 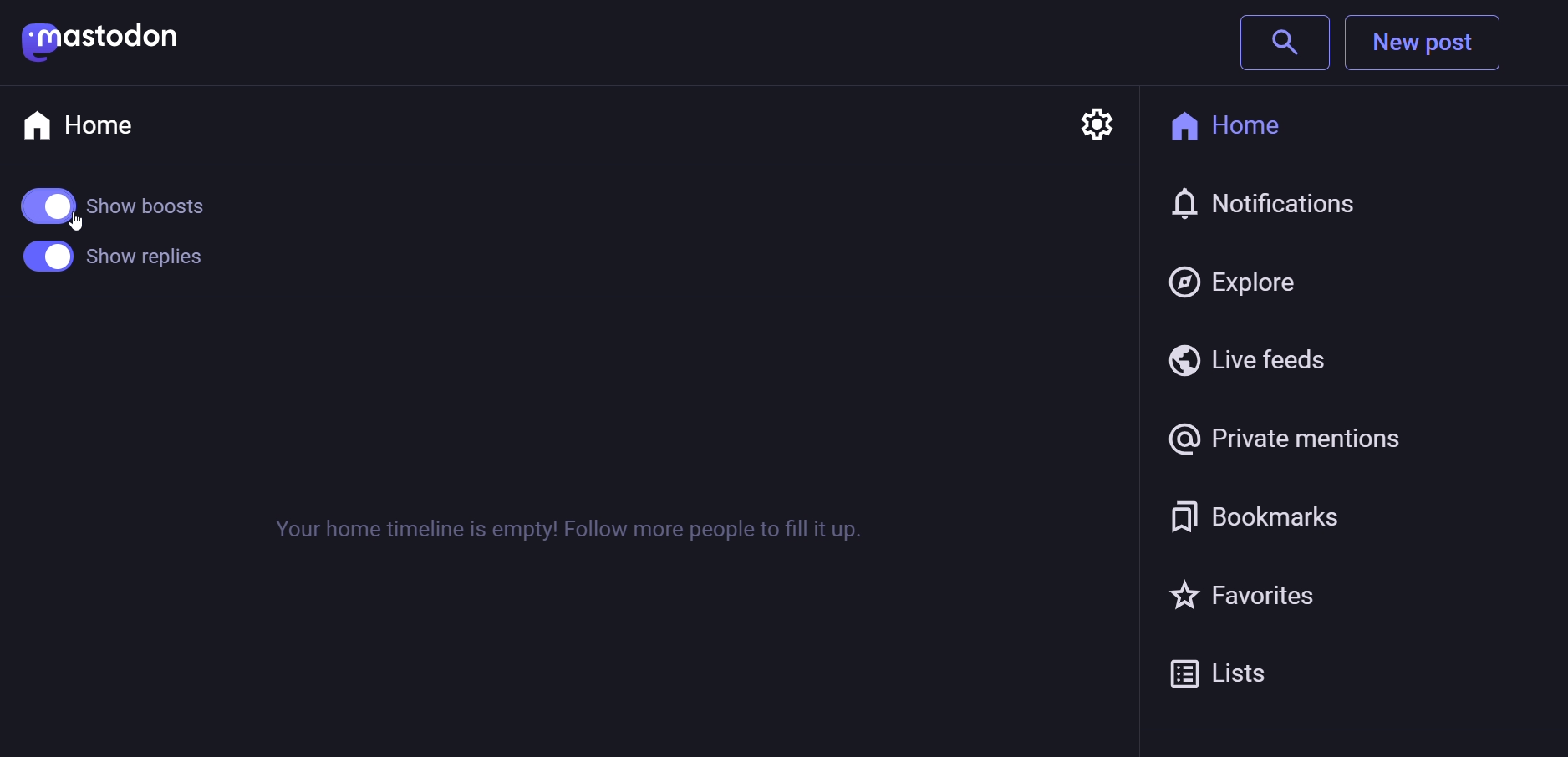 What do you see at coordinates (1428, 42) in the screenshot?
I see `new post` at bounding box center [1428, 42].